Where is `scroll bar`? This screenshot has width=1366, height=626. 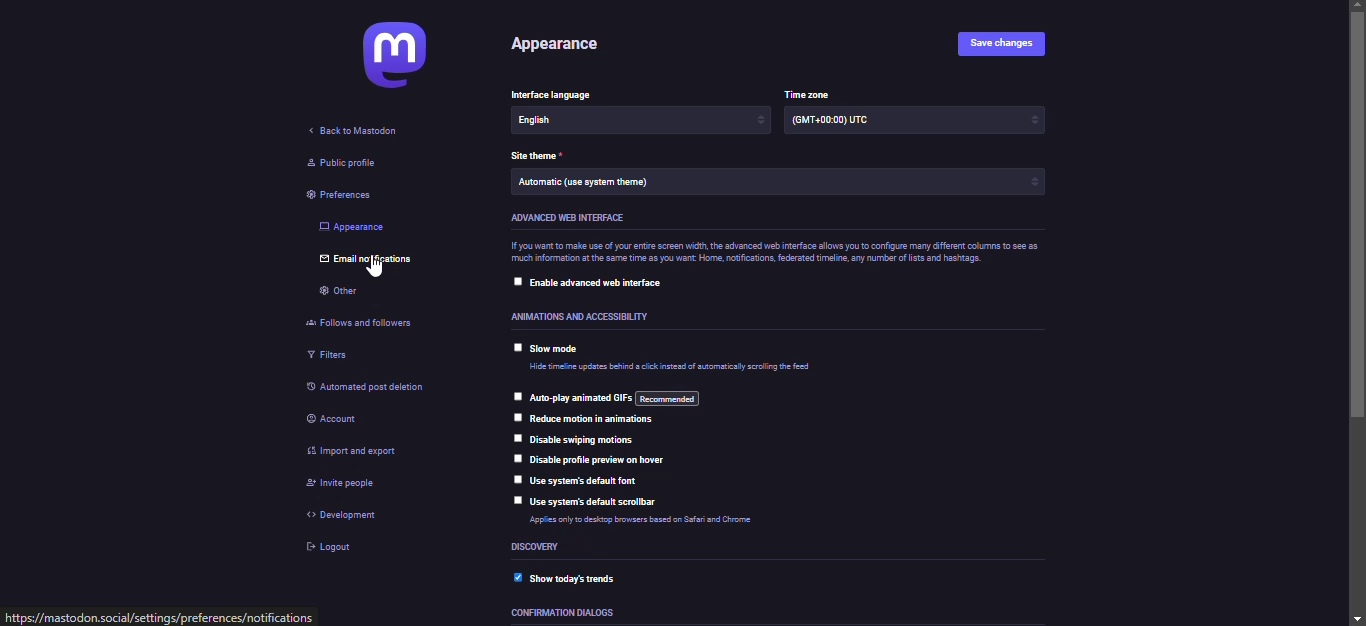
scroll bar is located at coordinates (1358, 312).